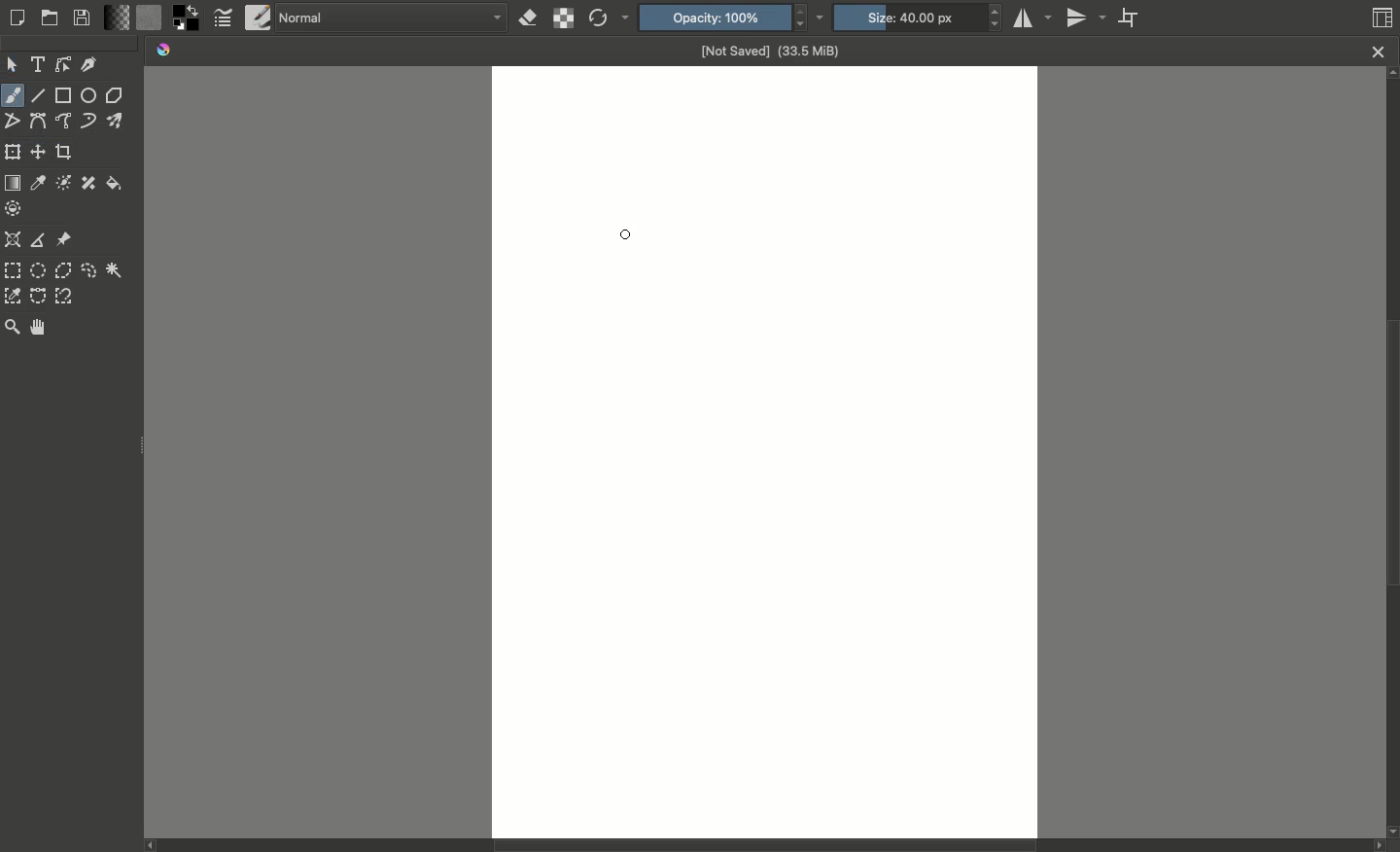 The width and height of the screenshot is (1400, 852). Describe the element at coordinates (37, 239) in the screenshot. I see `Measure the distance between two points` at that location.